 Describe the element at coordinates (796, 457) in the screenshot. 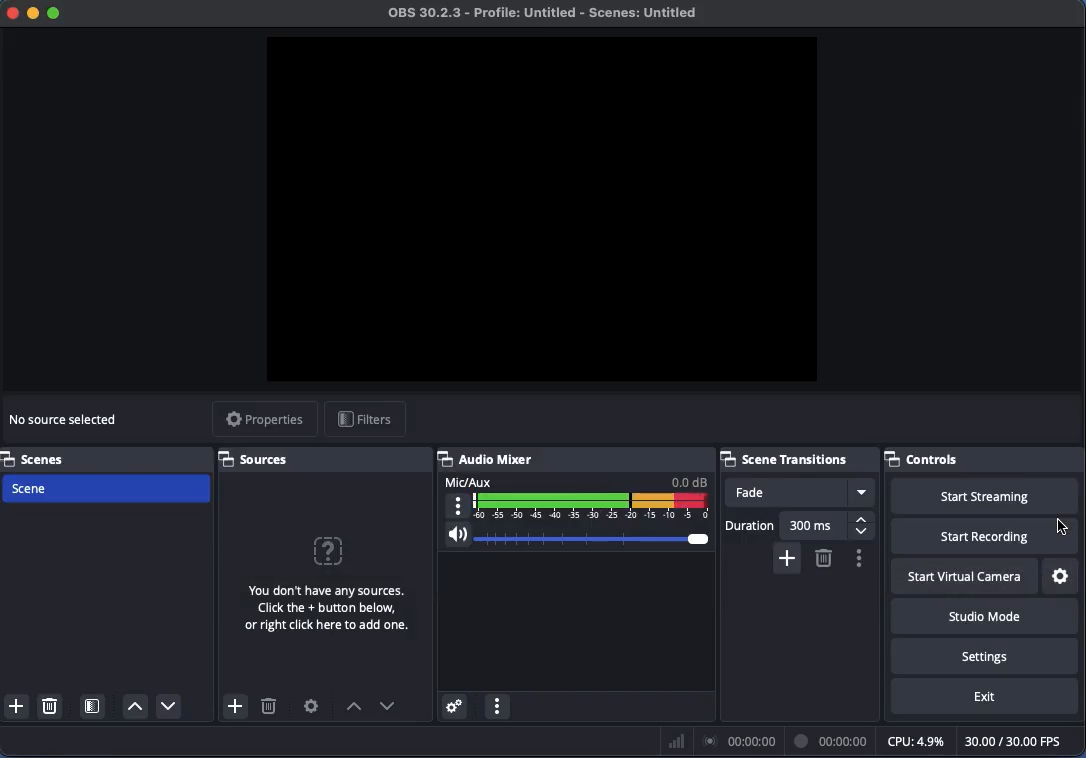

I see `Scene transitions` at that location.